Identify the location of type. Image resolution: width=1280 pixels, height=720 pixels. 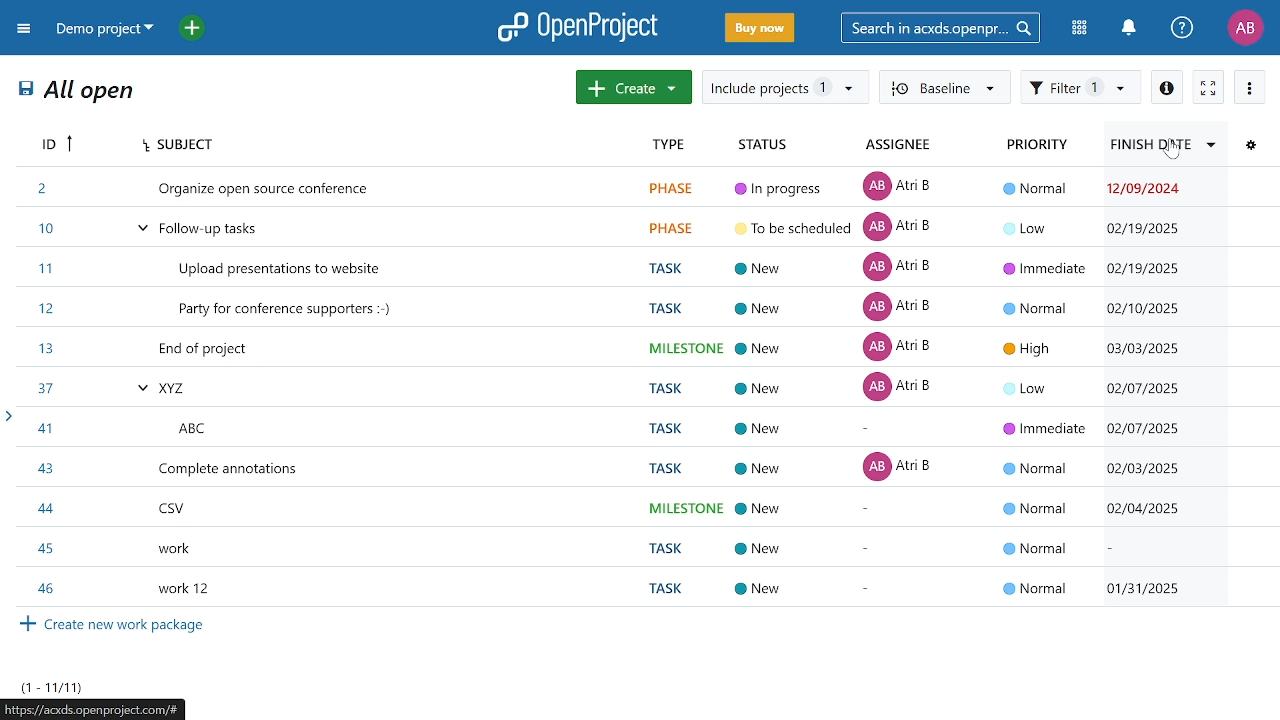
(678, 145).